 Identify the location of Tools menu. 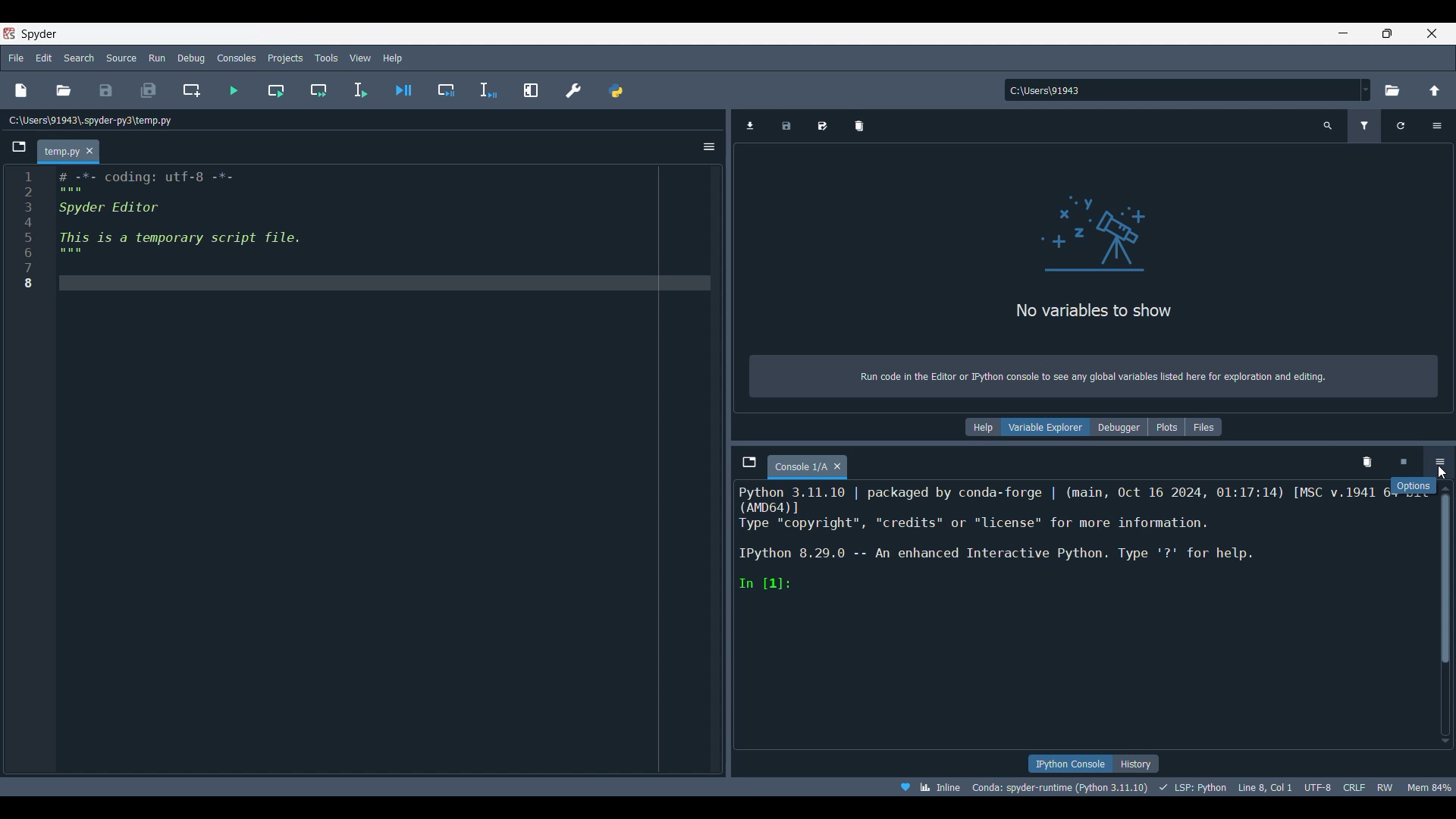
(327, 58).